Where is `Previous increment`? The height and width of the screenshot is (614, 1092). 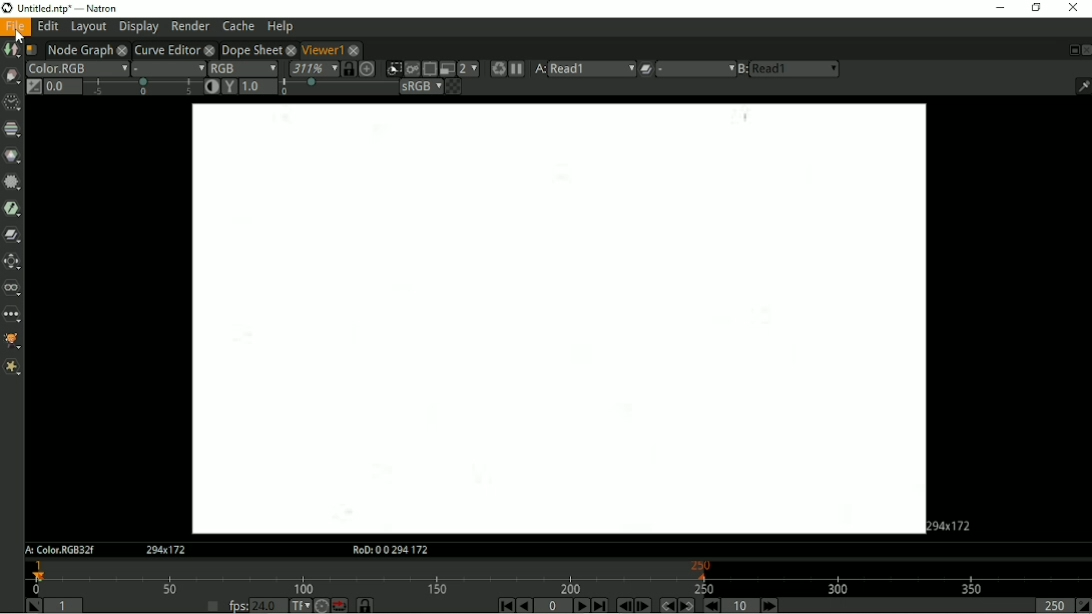 Previous increment is located at coordinates (711, 606).